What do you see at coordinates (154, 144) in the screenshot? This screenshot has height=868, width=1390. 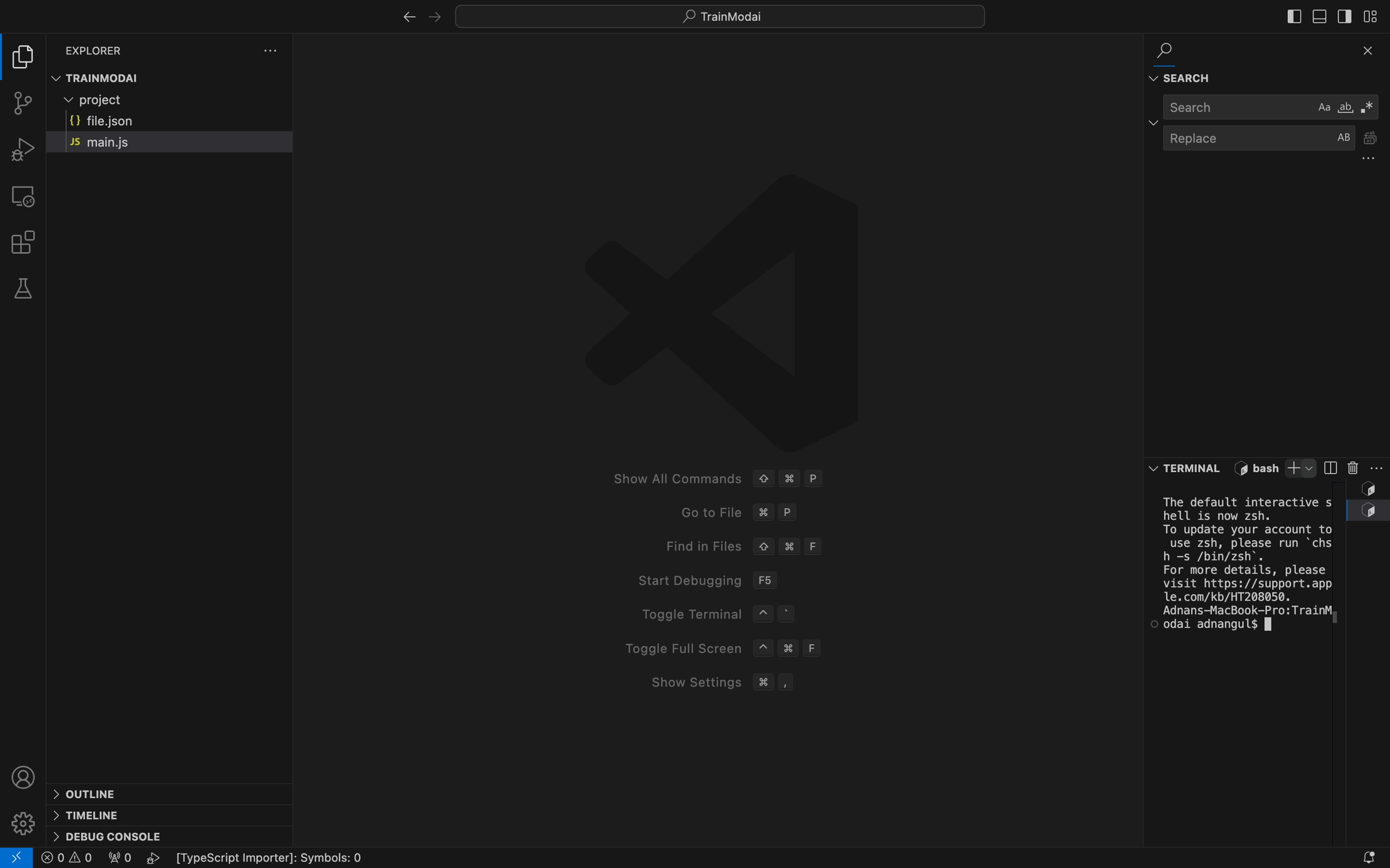 I see `main.js` at bounding box center [154, 144].